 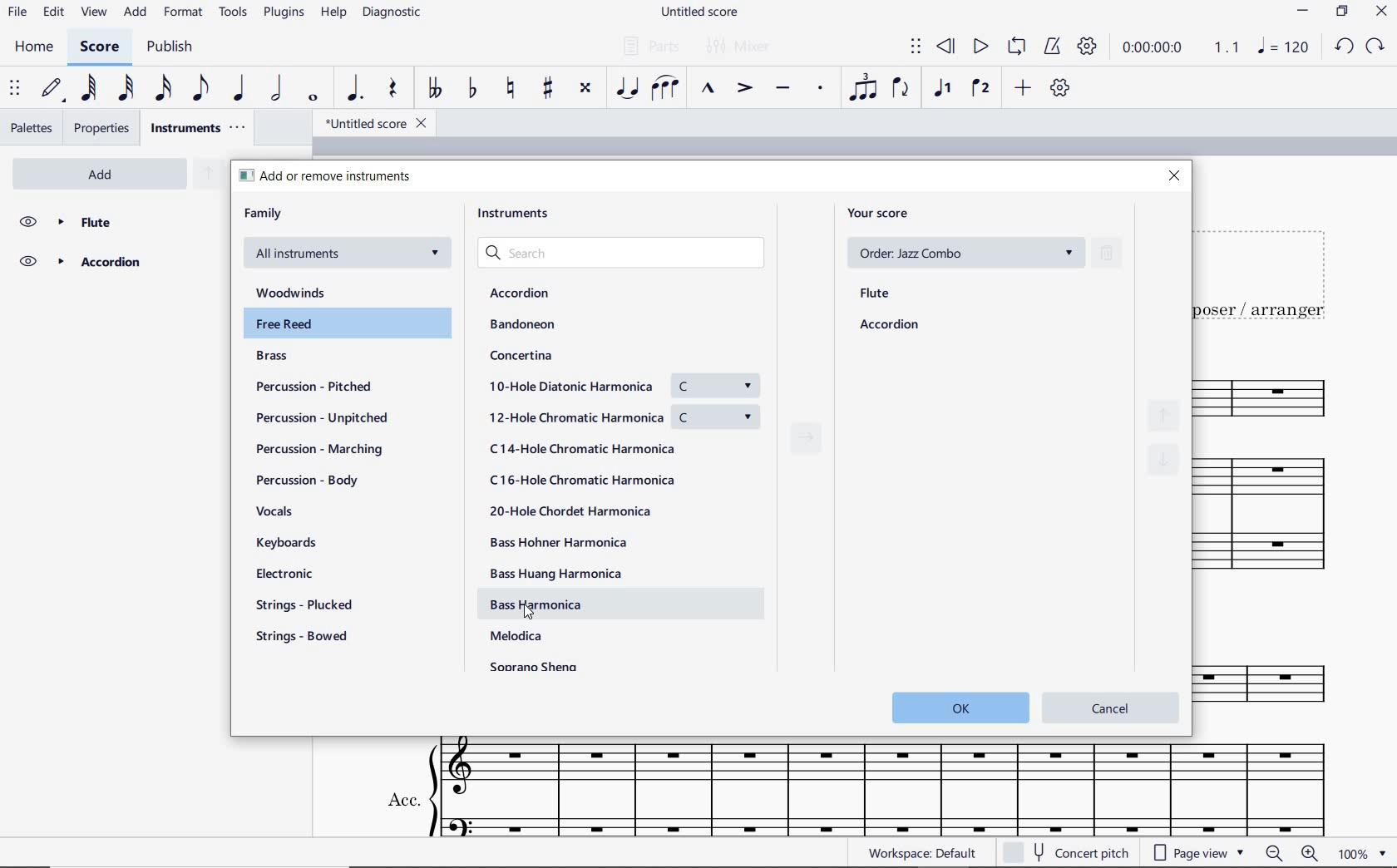 What do you see at coordinates (629, 255) in the screenshot?
I see `search` at bounding box center [629, 255].